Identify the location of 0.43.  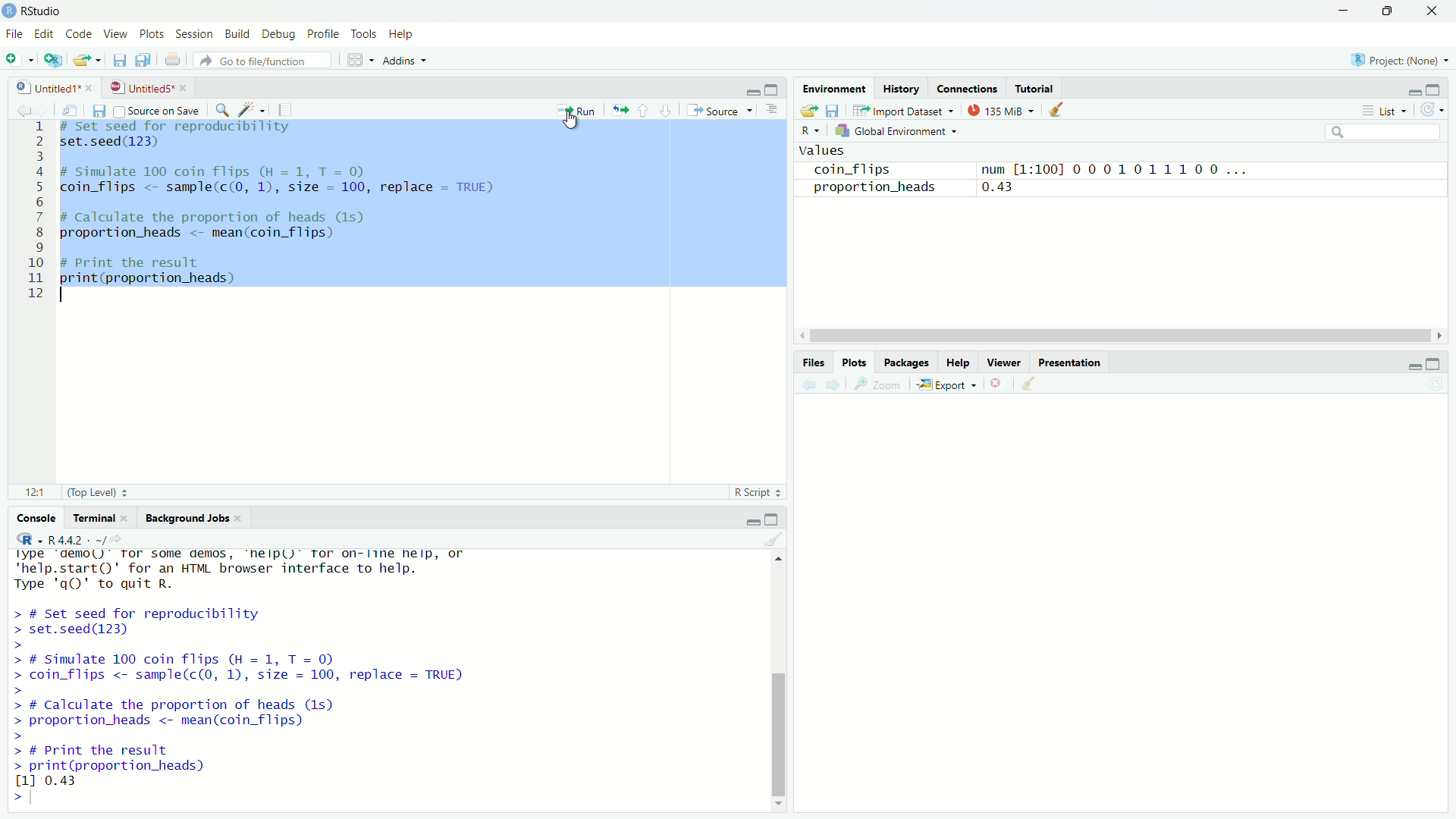
(1026, 188).